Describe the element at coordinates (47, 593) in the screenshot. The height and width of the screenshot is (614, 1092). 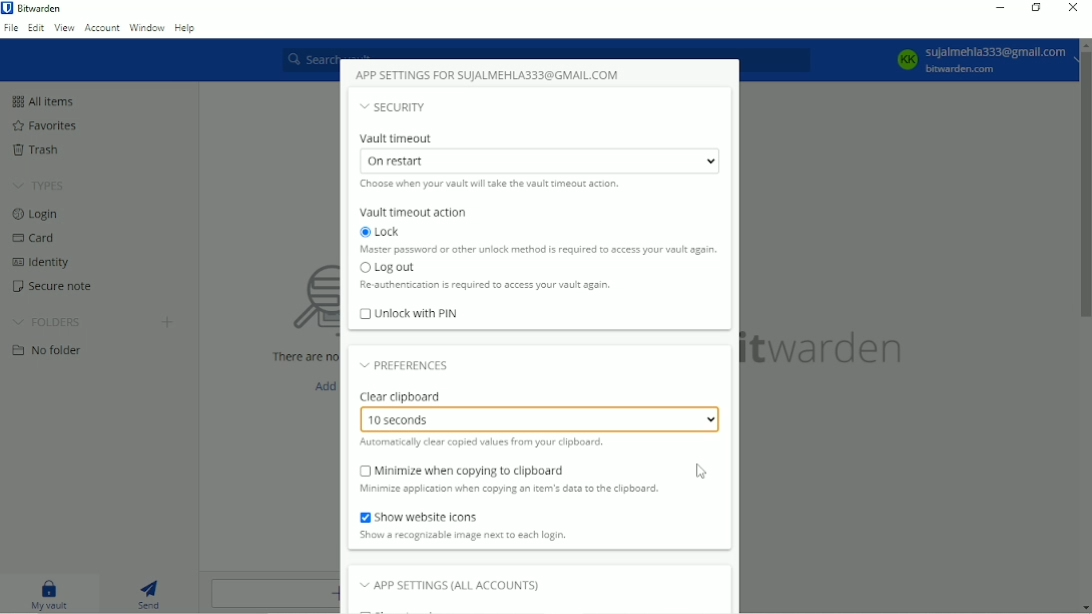
I see `My vault` at that location.